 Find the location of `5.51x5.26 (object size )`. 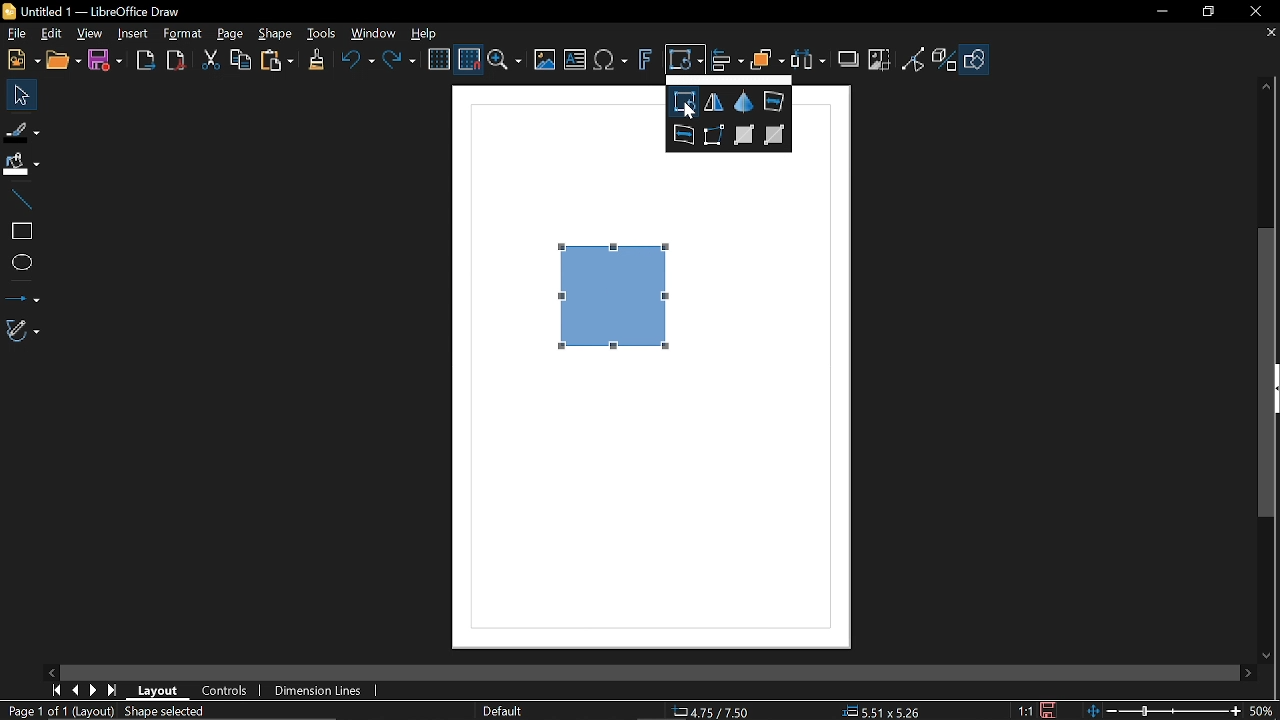

5.51x5.26 (object size ) is located at coordinates (885, 711).